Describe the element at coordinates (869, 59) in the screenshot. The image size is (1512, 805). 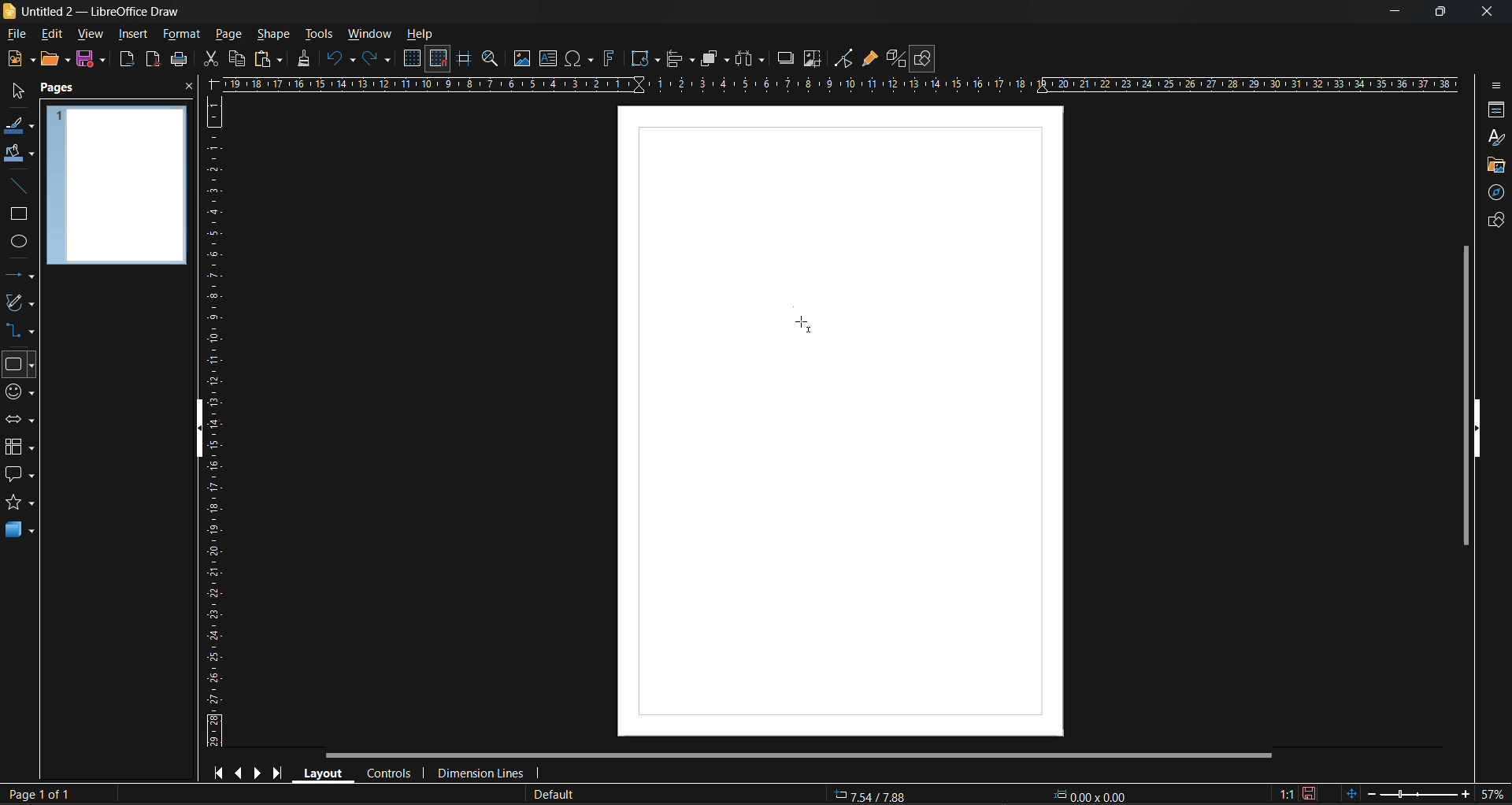
I see `show gluepoint functions` at that location.